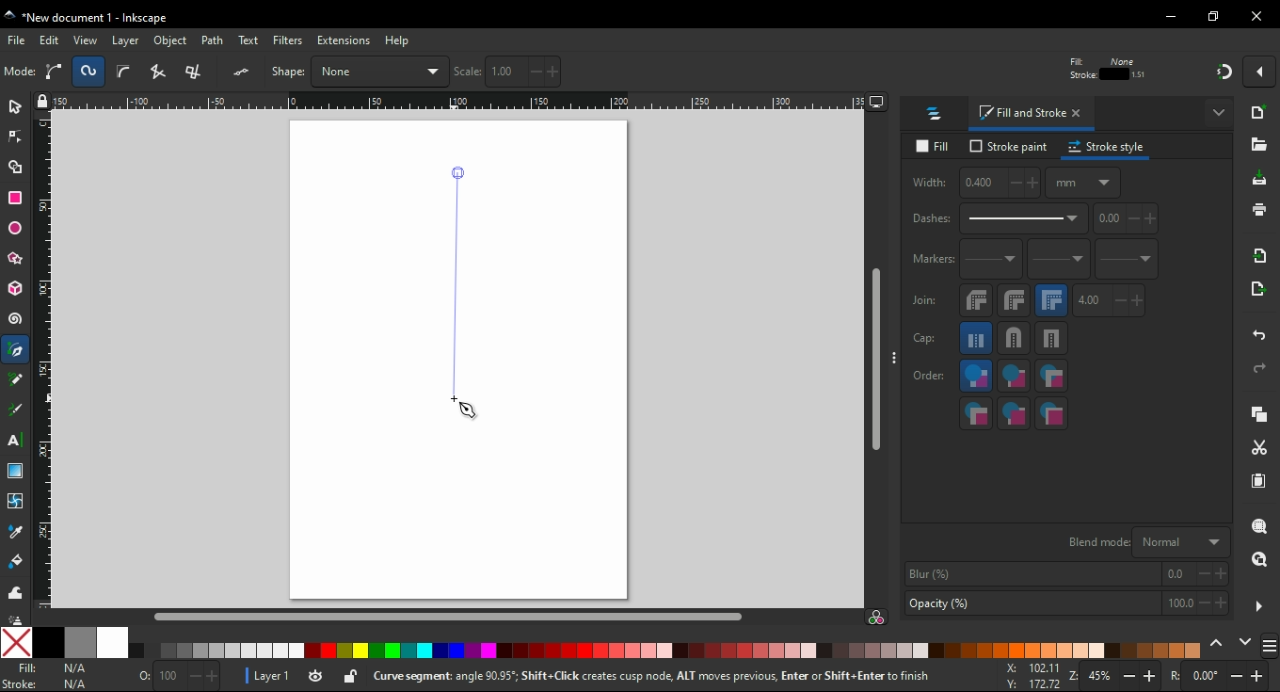 The height and width of the screenshot is (692, 1280). What do you see at coordinates (1142, 72) in the screenshot?
I see `move gradients along with other objects` at bounding box center [1142, 72].